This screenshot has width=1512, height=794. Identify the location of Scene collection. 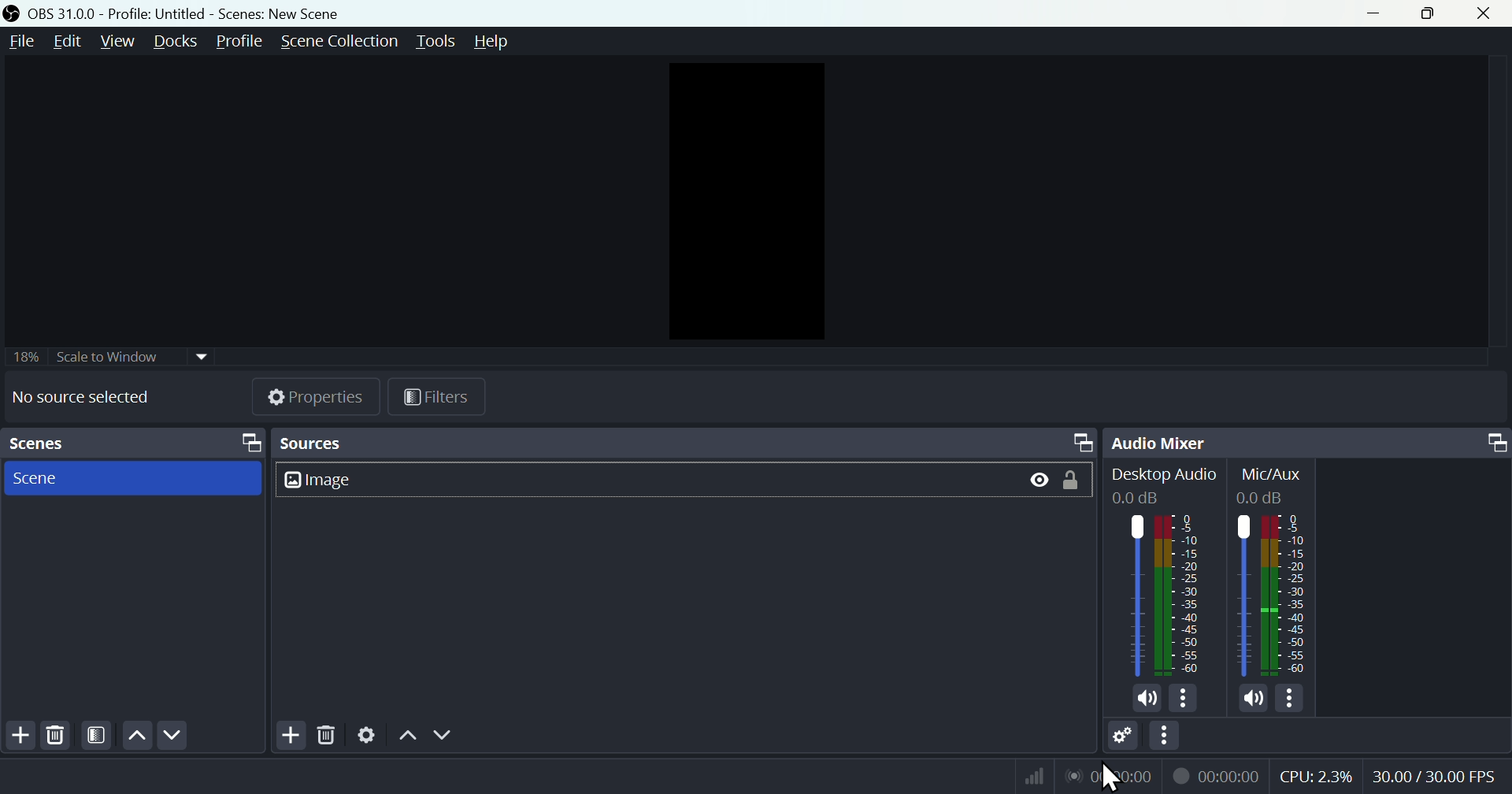
(343, 43).